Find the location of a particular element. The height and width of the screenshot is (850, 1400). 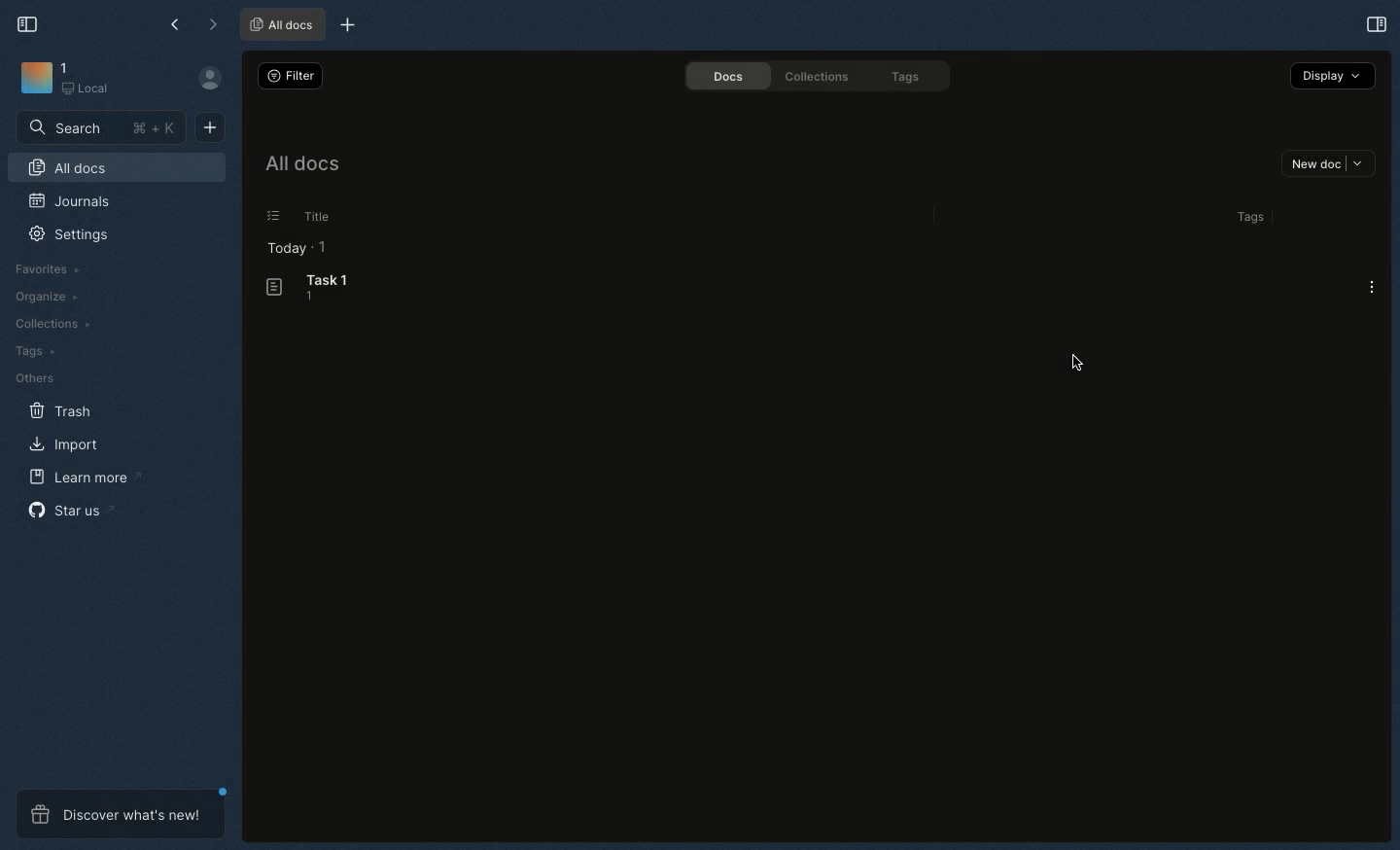

Task 1 is located at coordinates (311, 288).